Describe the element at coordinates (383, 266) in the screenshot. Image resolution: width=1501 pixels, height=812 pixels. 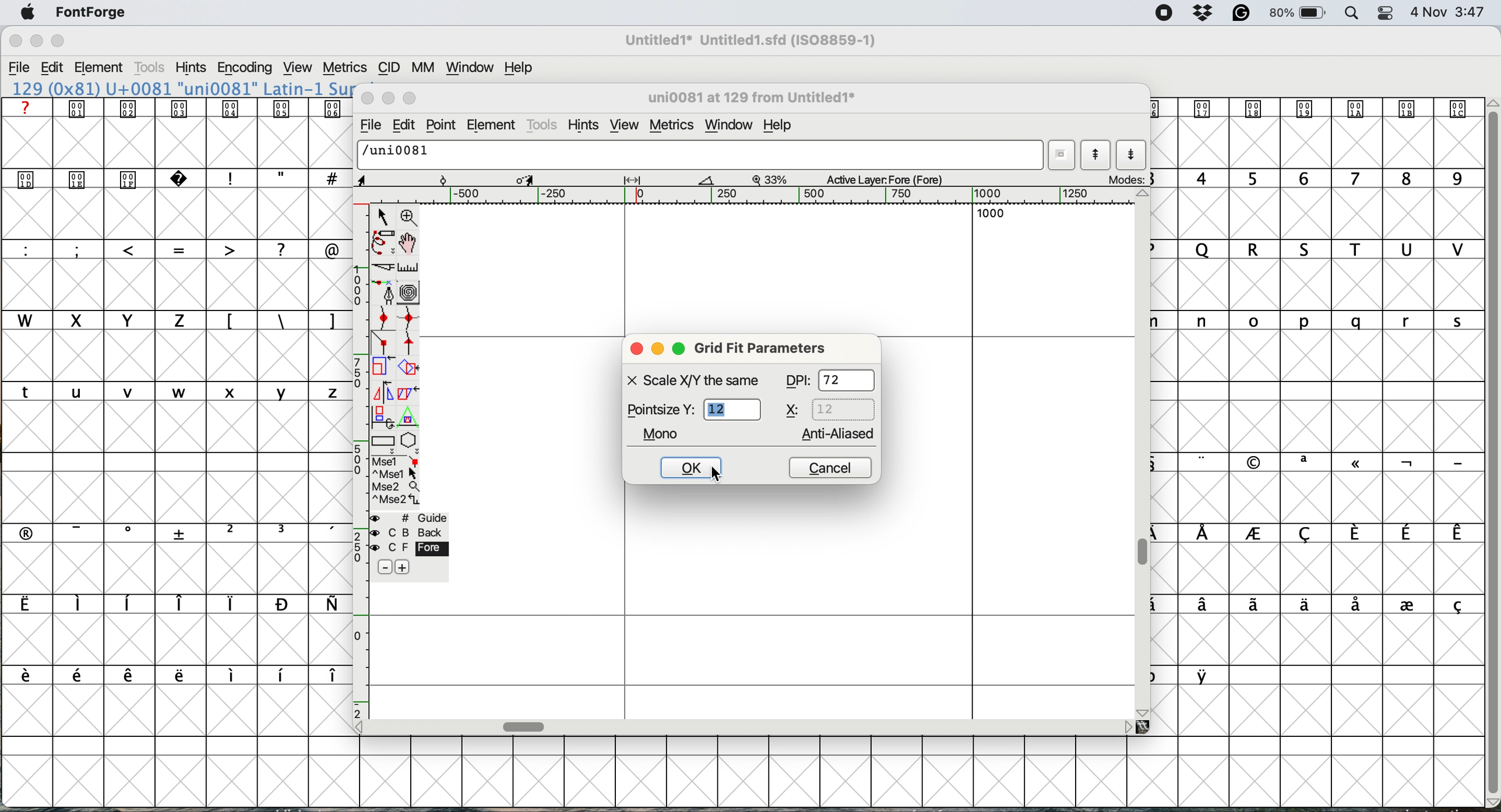
I see `cut splines in two` at that location.